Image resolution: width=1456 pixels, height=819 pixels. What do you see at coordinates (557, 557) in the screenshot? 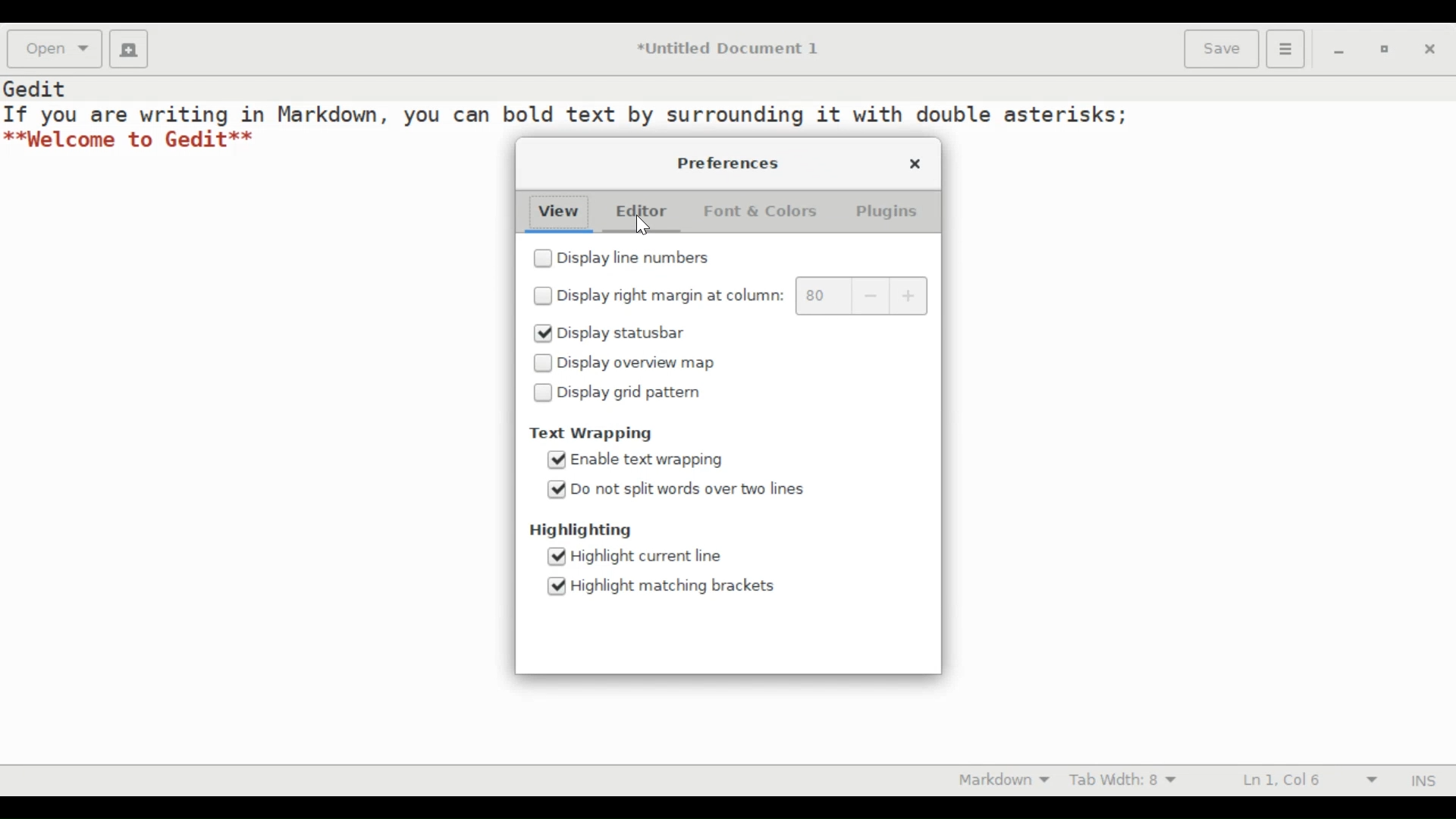
I see `Checked Checkbox` at bounding box center [557, 557].